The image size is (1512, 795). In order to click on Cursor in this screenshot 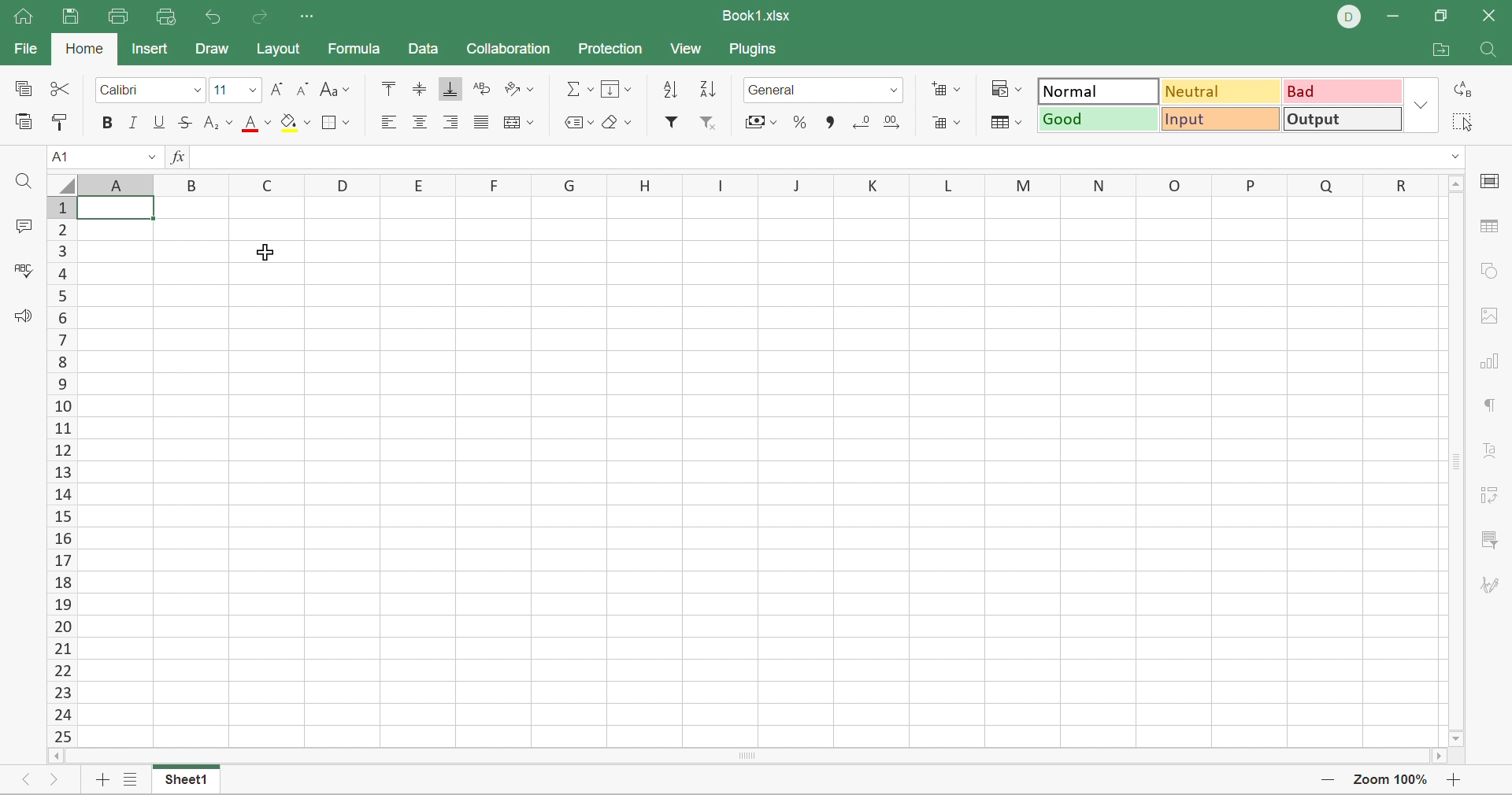, I will do `click(261, 257)`.